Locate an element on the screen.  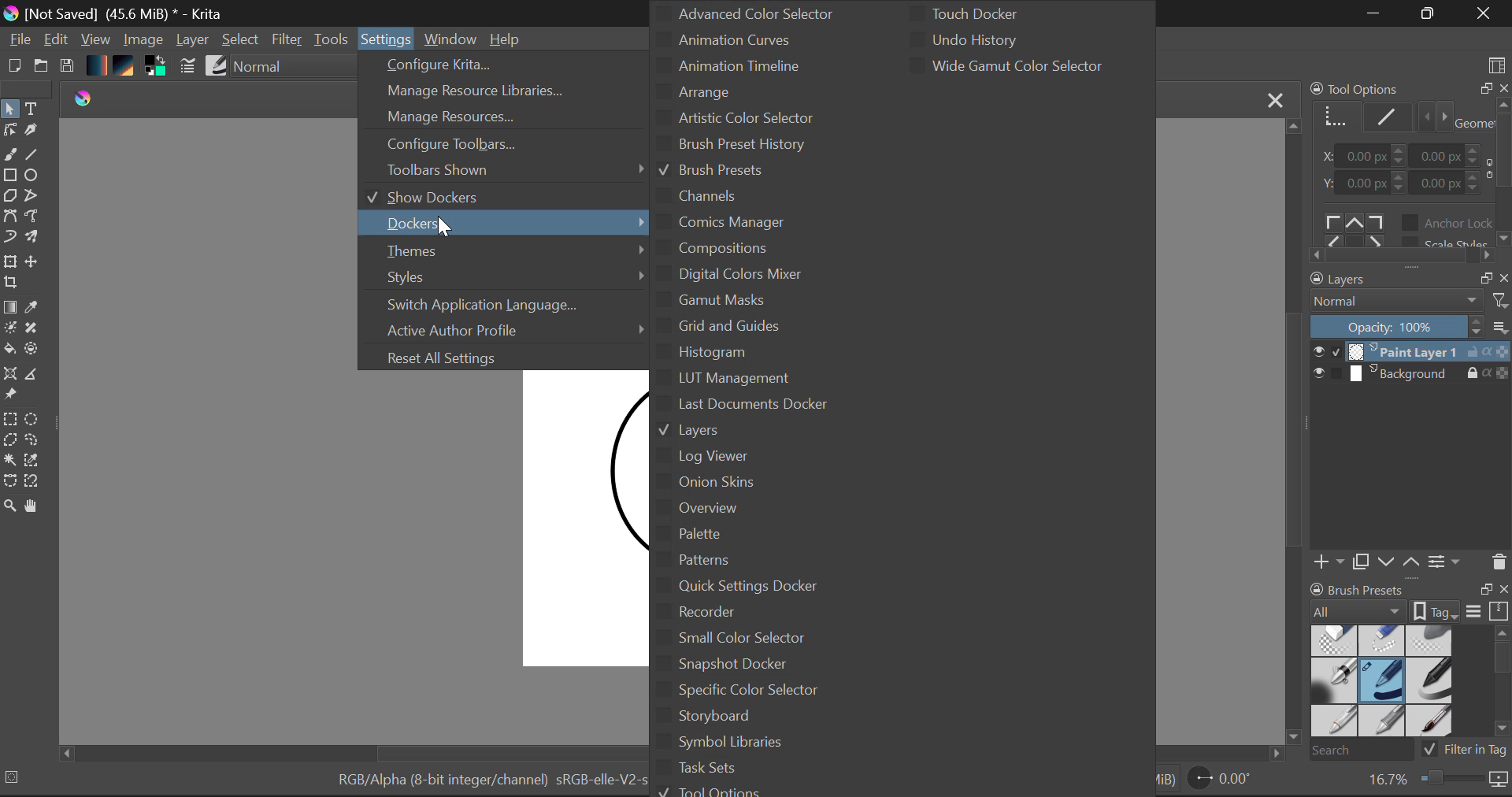
Elipses is located at coordinates (35, 175).